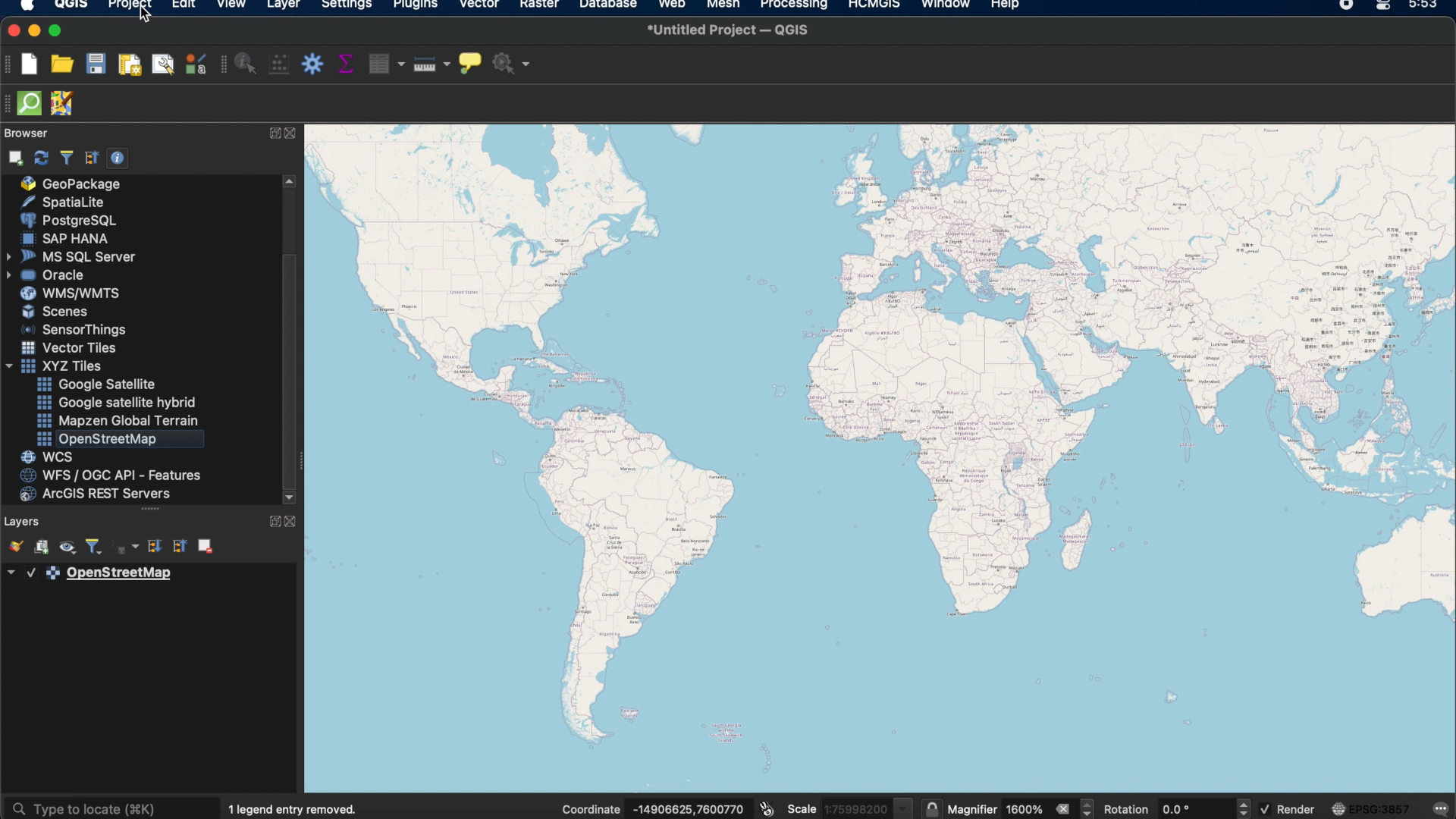 This screenshot has height=819, width=1456. I want to click on more, so click(149, 512).